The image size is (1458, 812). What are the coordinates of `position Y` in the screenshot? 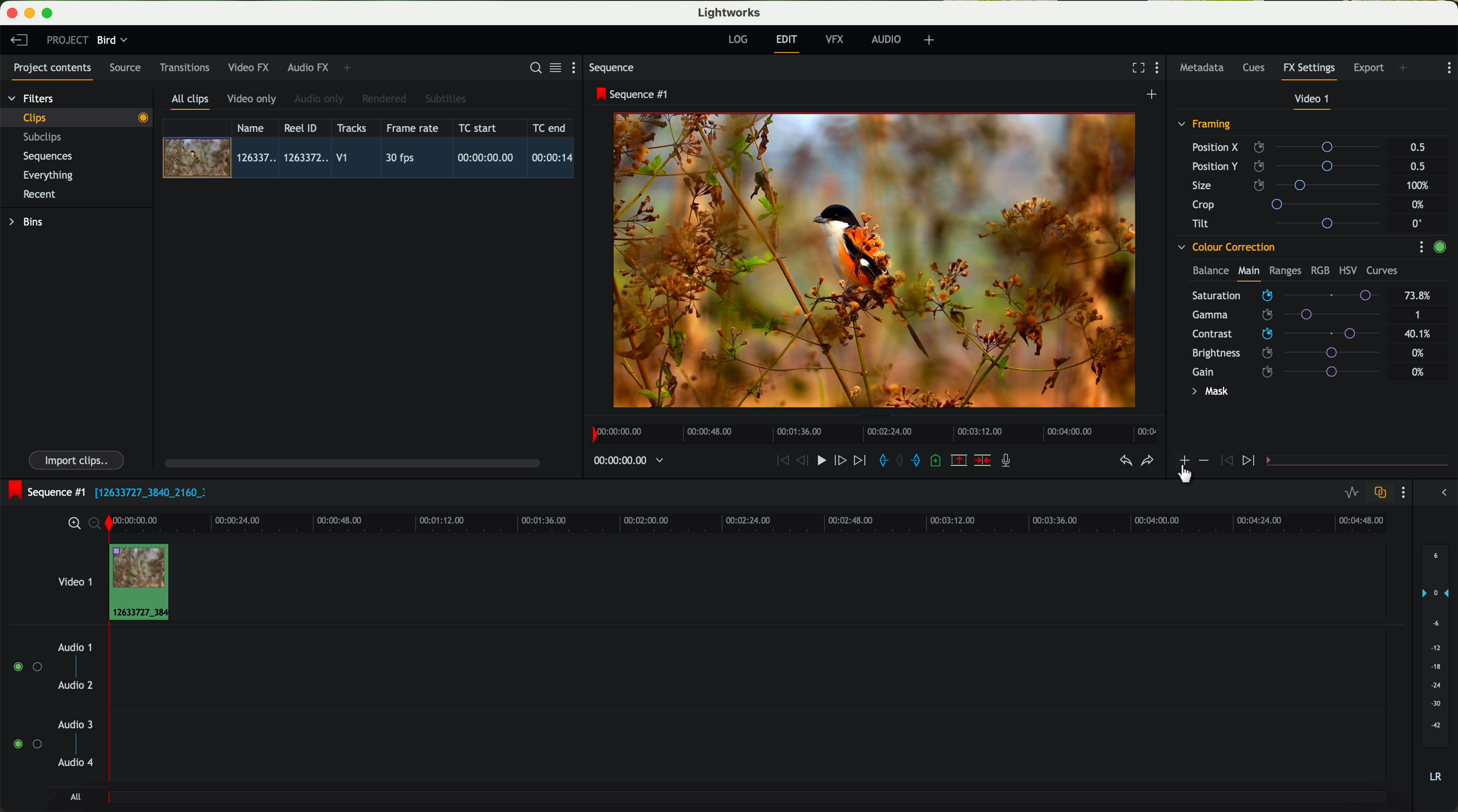 It's located at (1290, 166).